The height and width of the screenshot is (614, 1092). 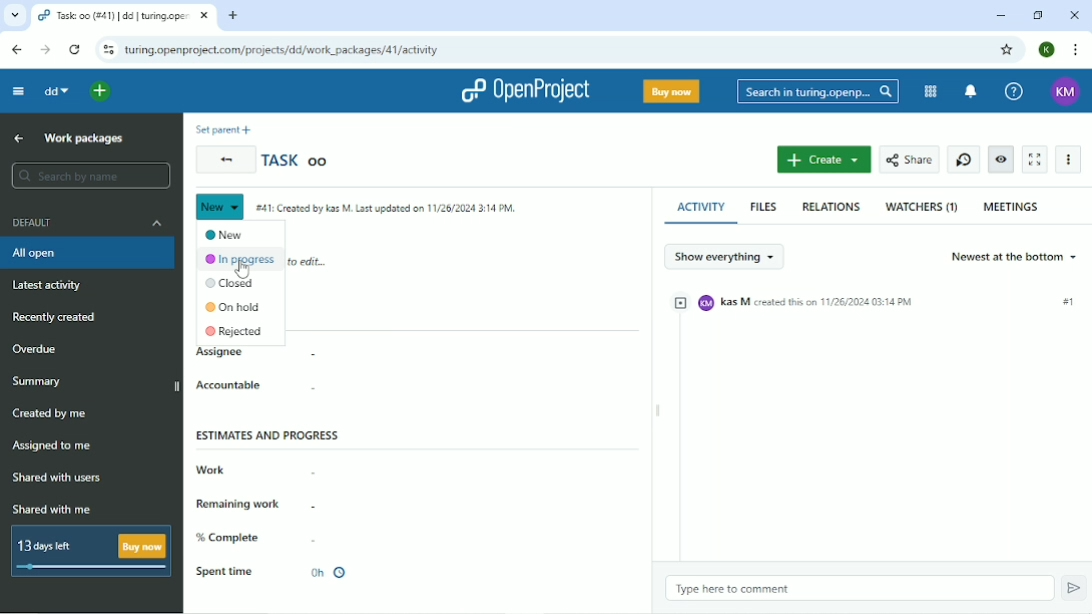 What do you see at coordinates (220, 206) in the screenshot?
I see `New` at bounding box center [220, 206].